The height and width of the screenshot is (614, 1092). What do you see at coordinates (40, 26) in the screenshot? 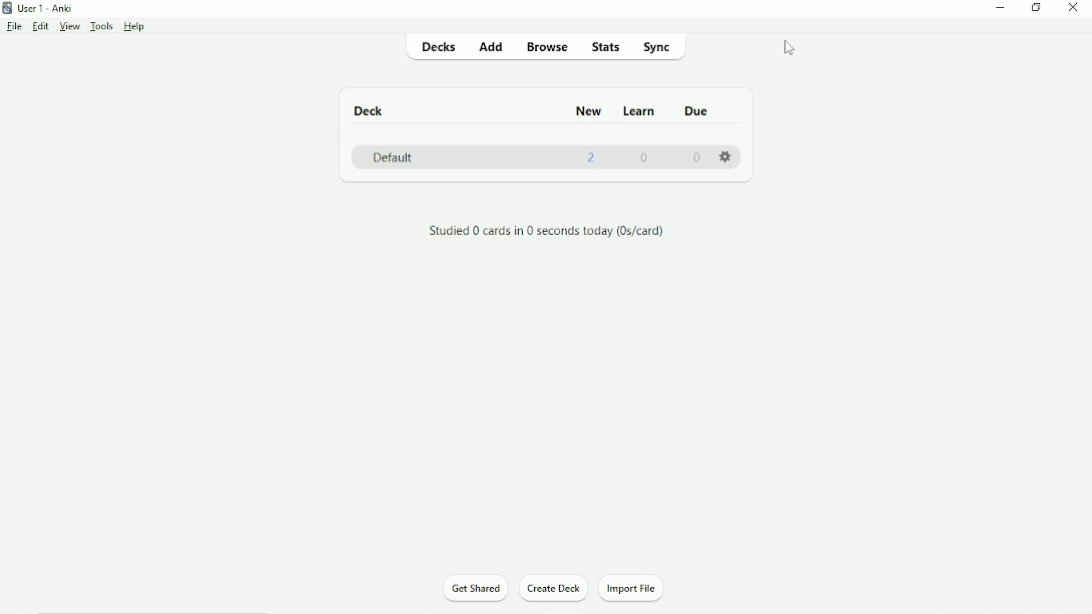
I see `Edit` at bounding box center [40, 26].